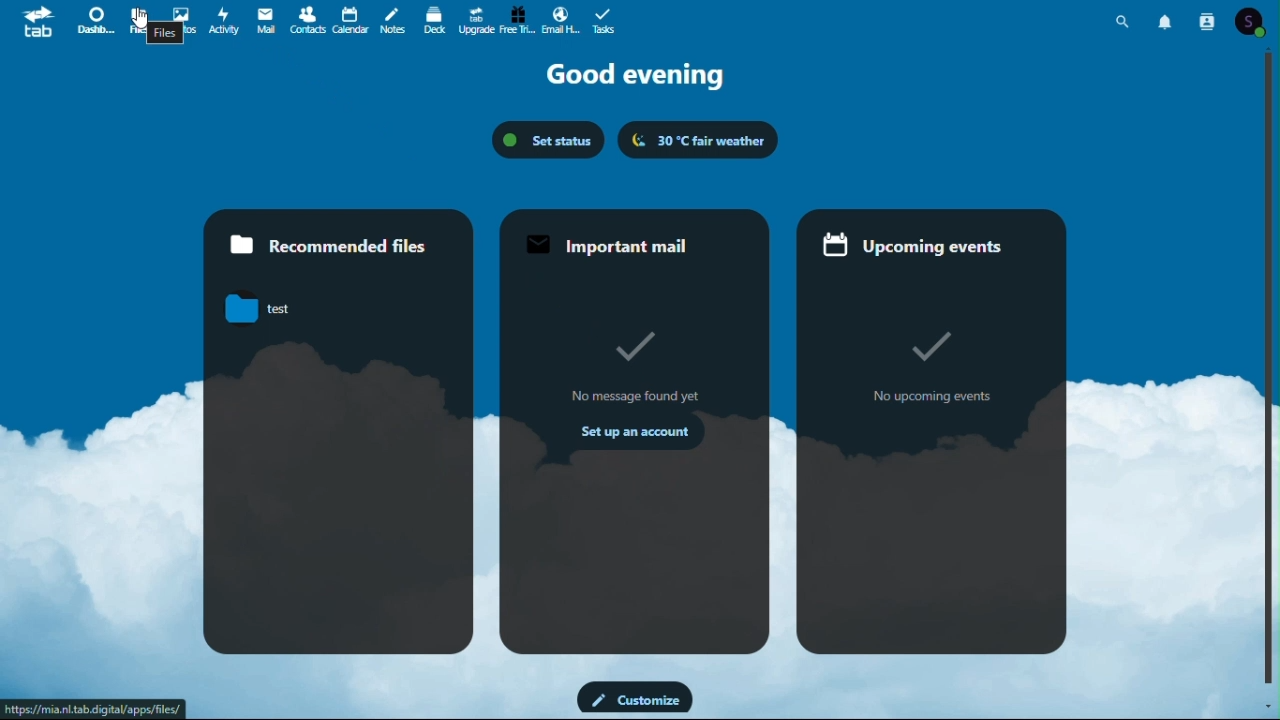 This screenshot has height=720, width=1280. I want to click on Activity, so click(227, 21).